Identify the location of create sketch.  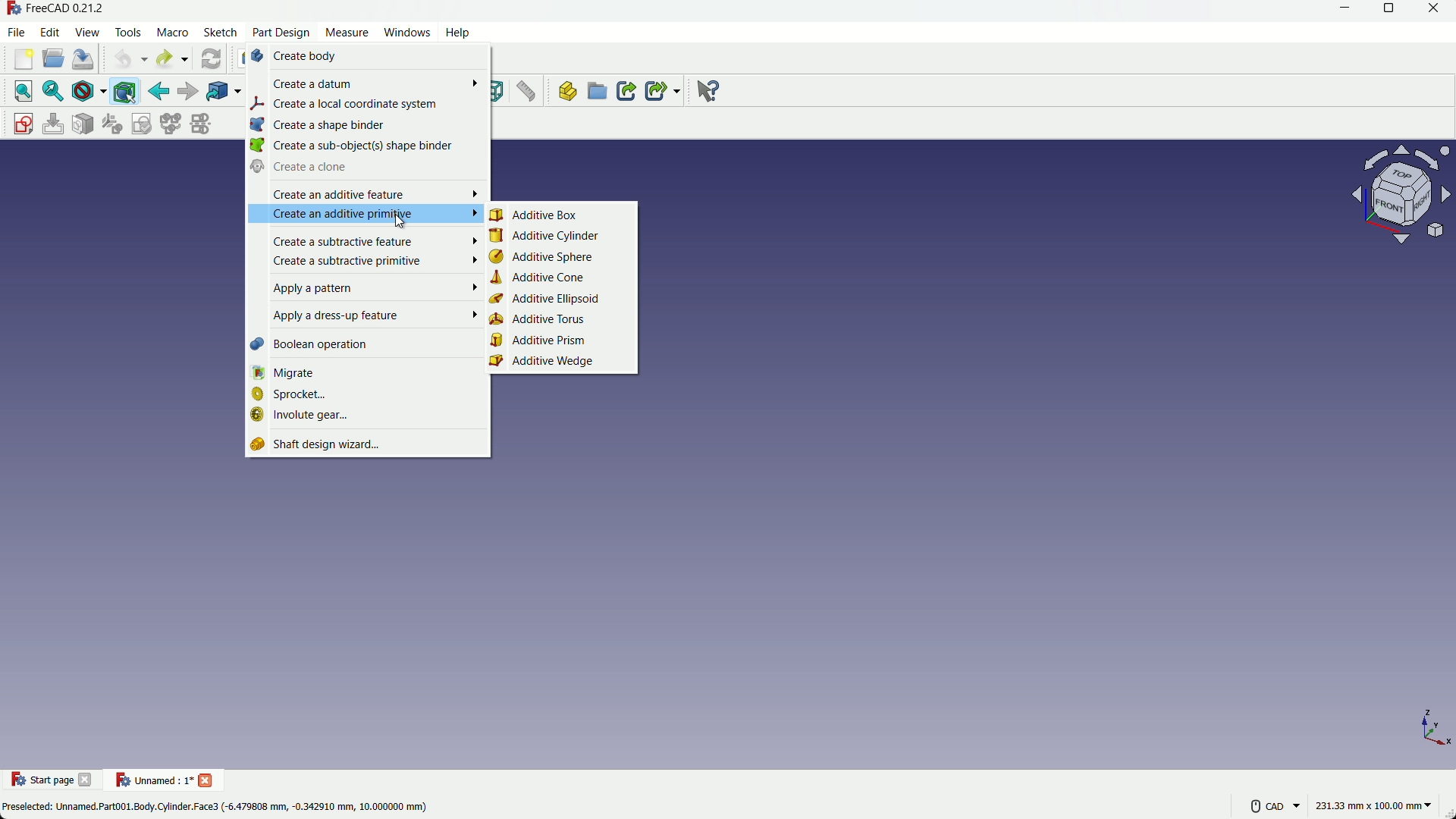
(24, 124).